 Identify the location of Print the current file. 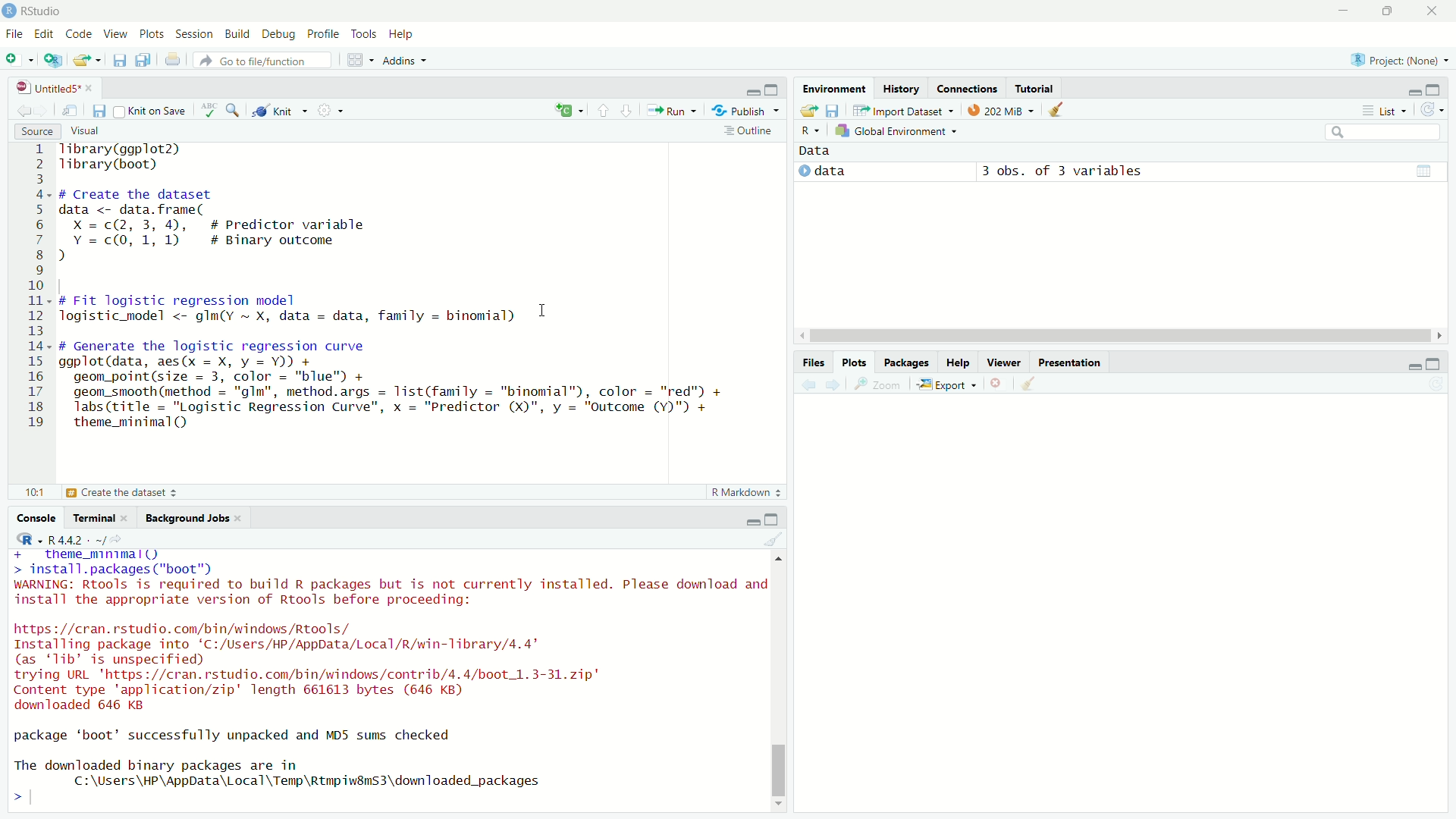
(174, 58).